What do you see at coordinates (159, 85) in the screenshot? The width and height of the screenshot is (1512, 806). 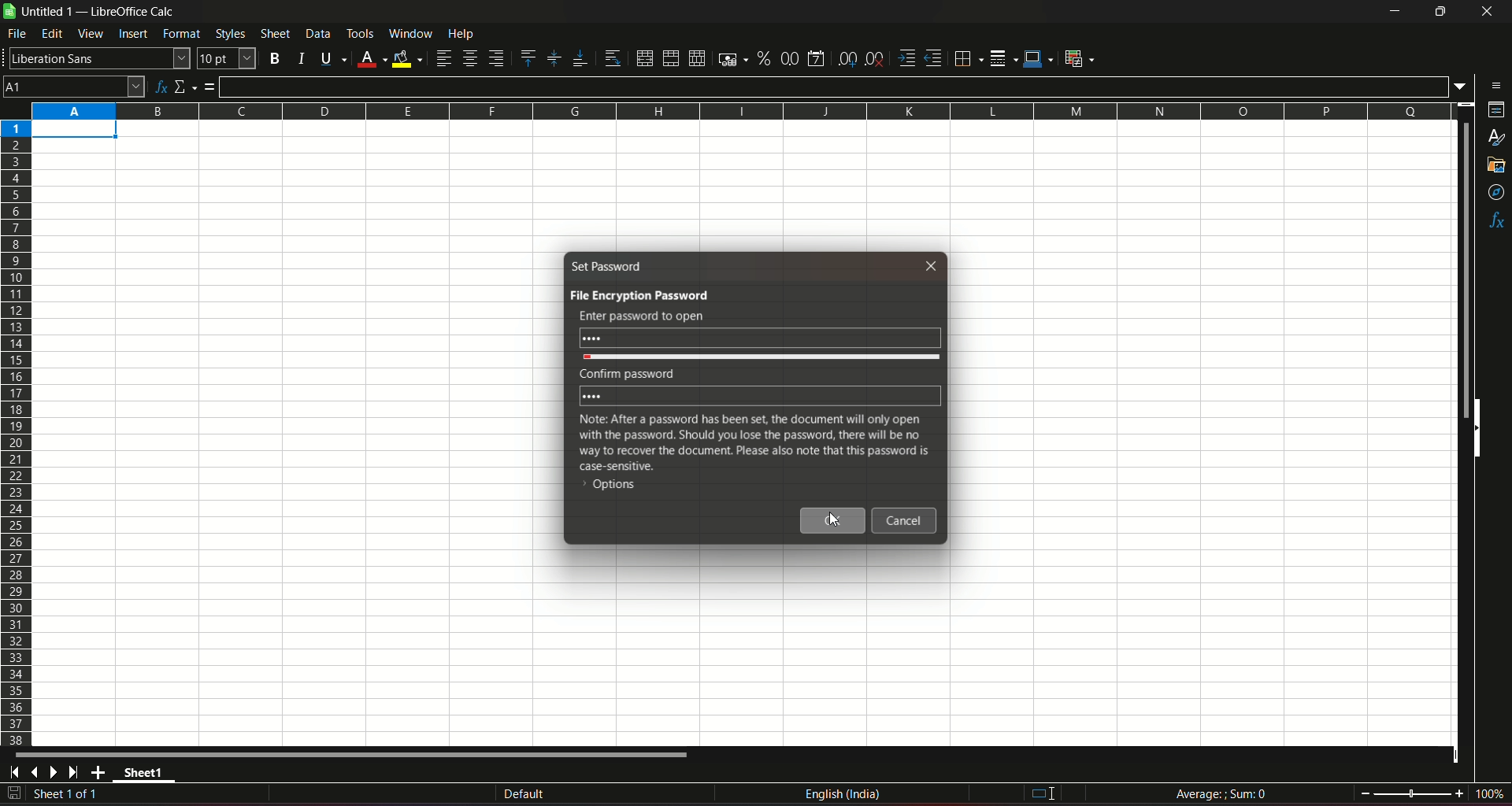 I see `function wizard` at bounding box center [159, 85].